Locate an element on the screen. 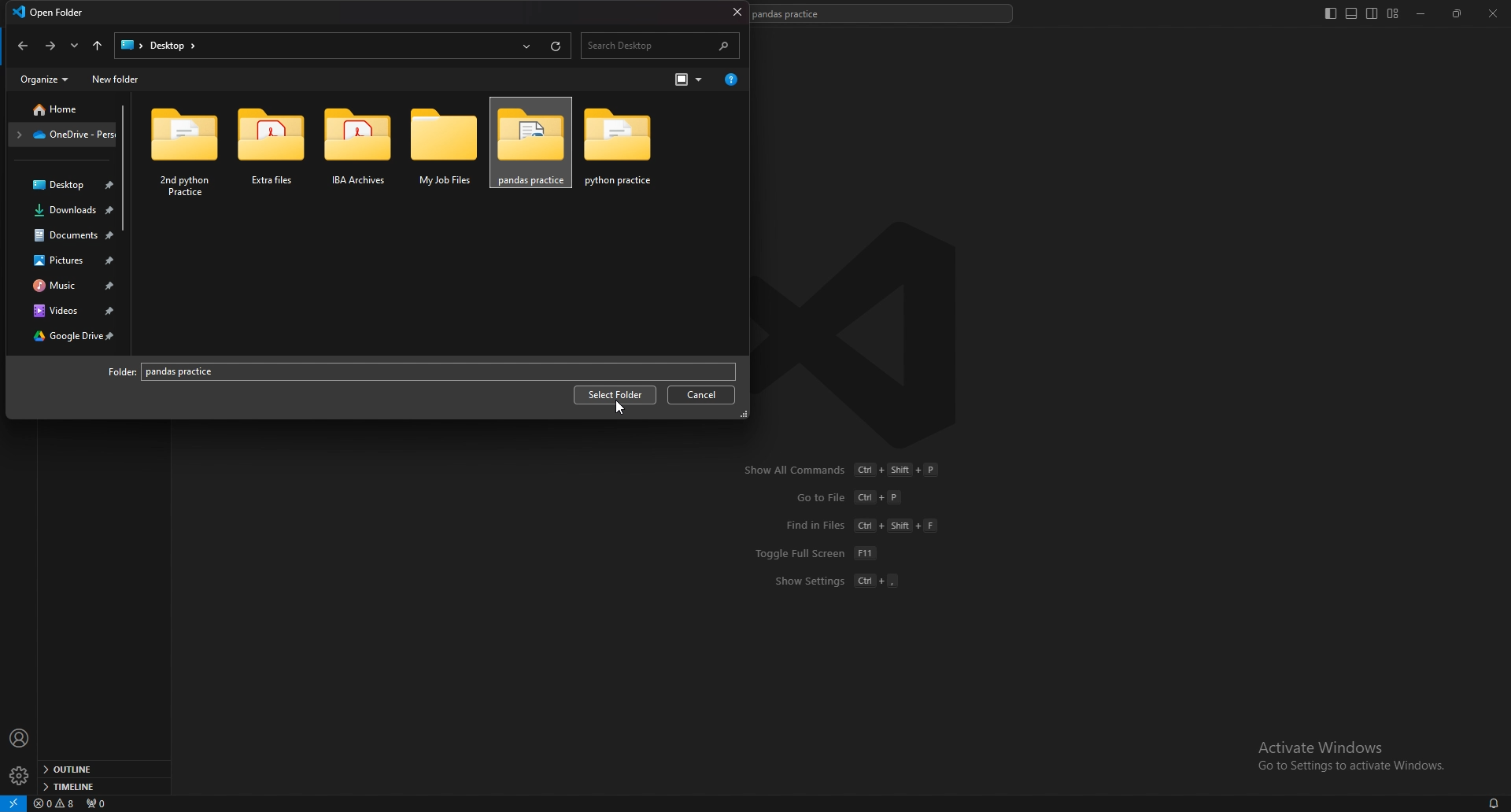 The image size is (1511, 812). search desktop is located at coordinates (662, 46).